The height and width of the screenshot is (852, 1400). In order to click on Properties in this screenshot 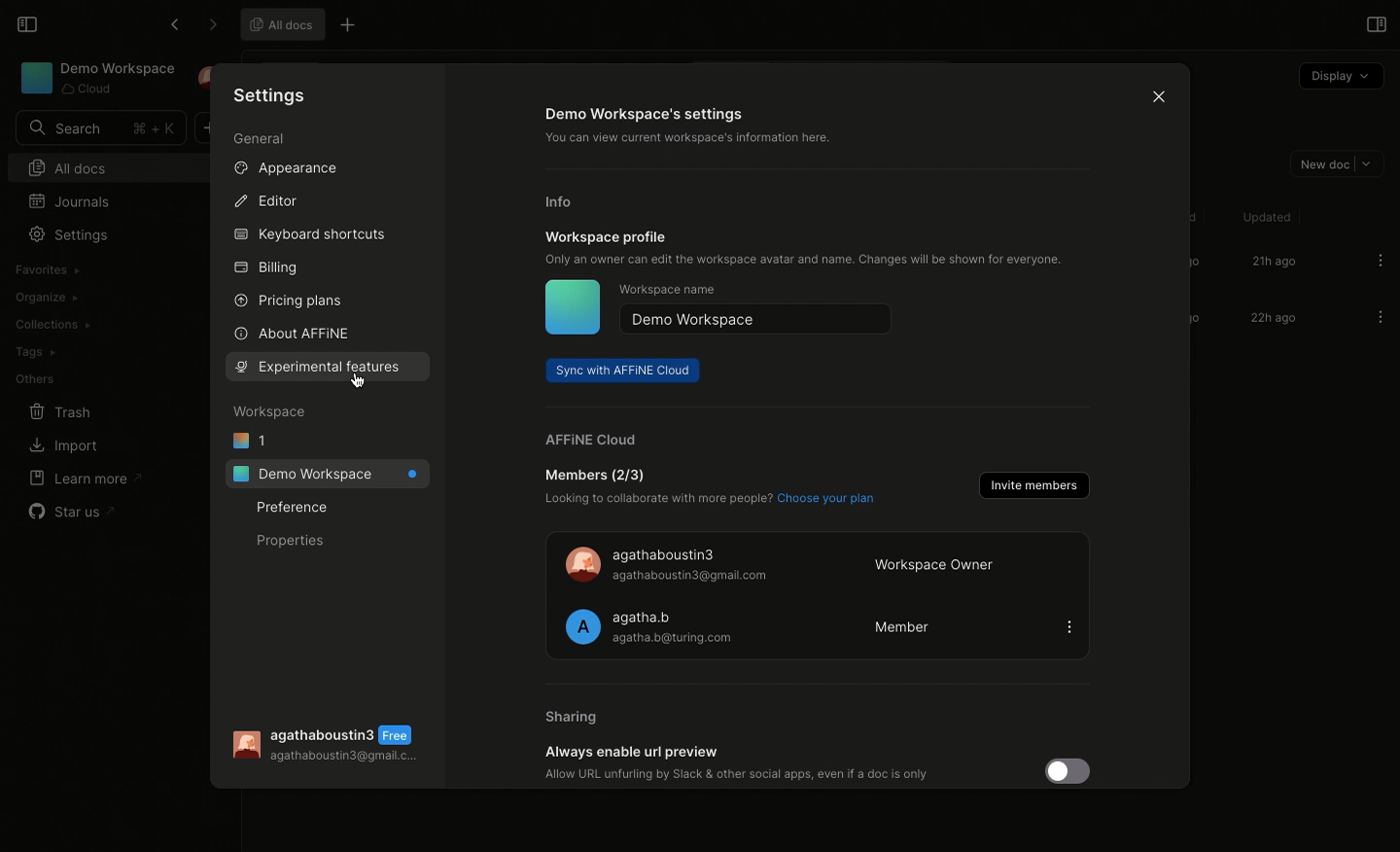, I will do `click(292, 539)`.